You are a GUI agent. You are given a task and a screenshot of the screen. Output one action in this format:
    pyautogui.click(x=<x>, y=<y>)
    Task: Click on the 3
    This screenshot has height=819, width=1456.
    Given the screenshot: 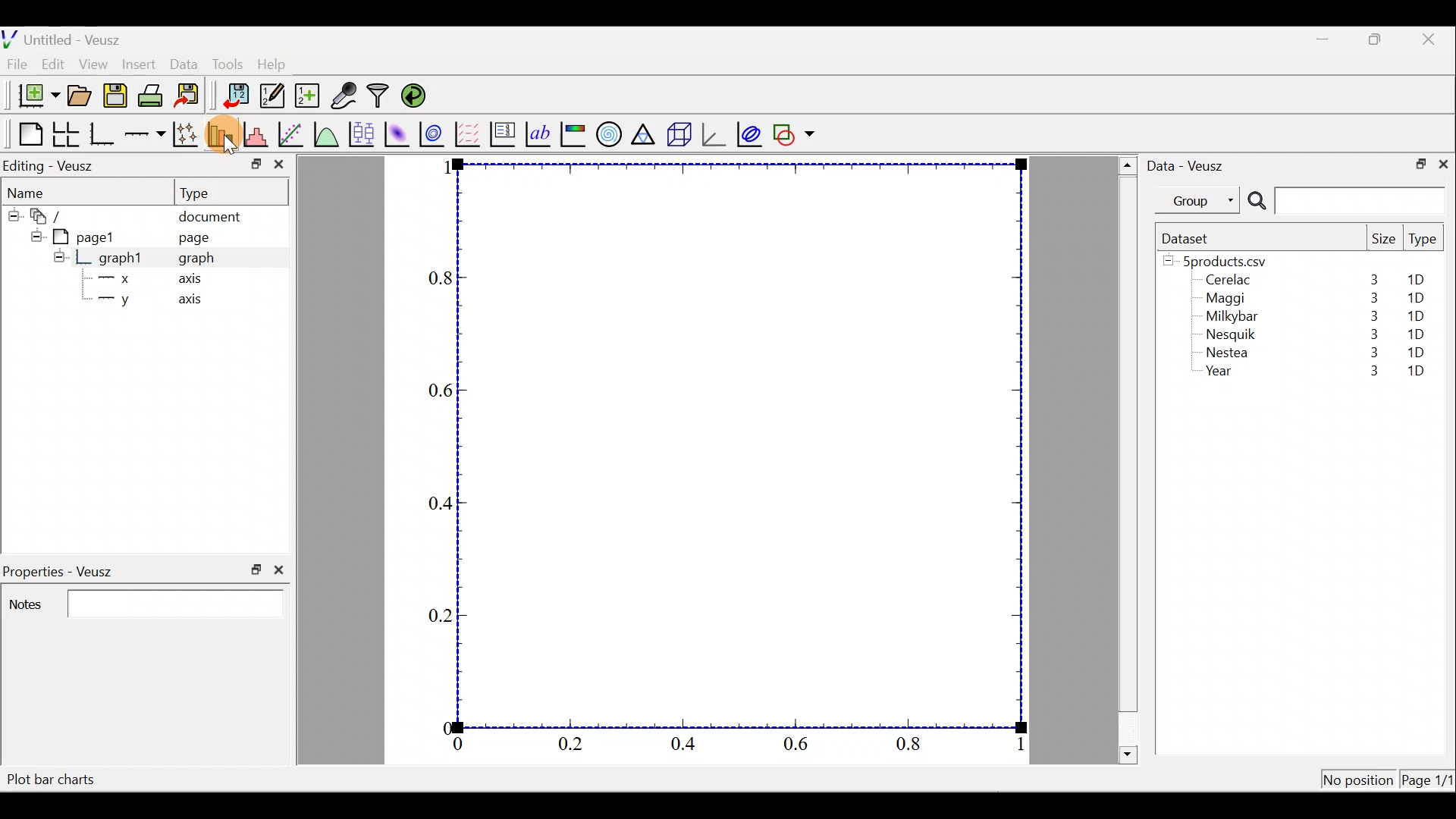 What is the action you would take?
    pyautogui.click(x=1370, y=355)
    